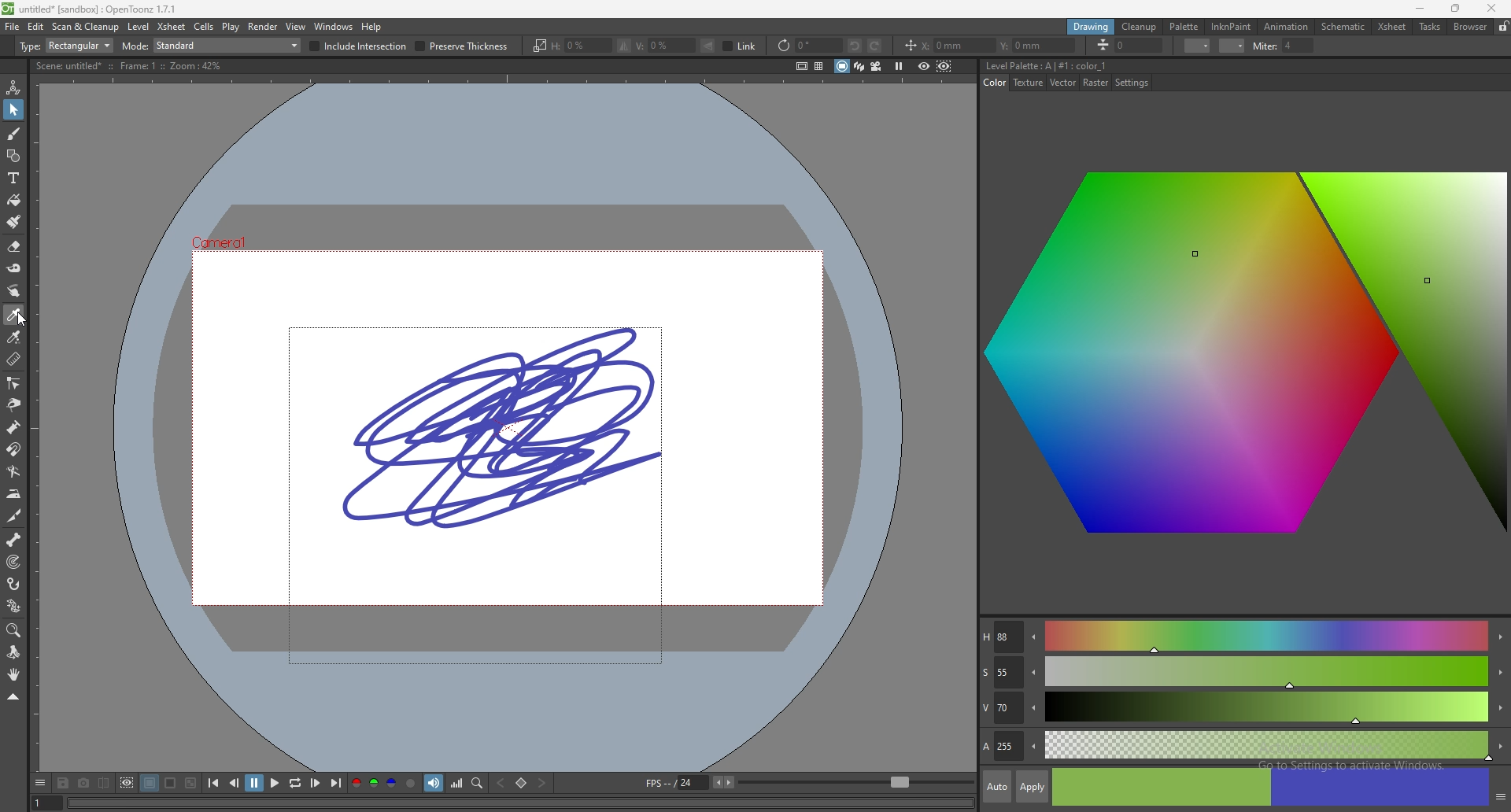 This screenshot has height=812, width=1511. I want to click on set key, so click(522, 783).